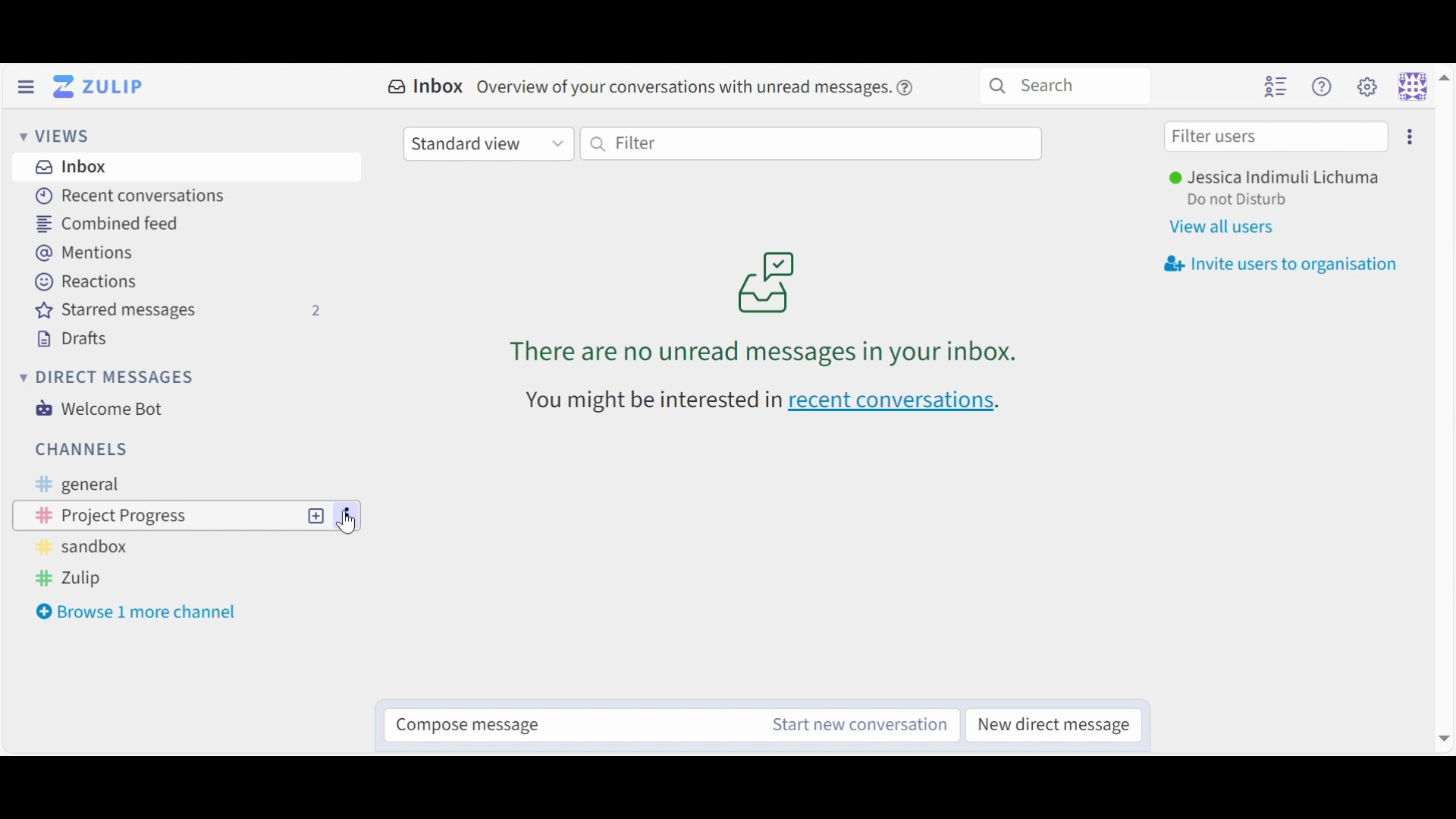 This screenshot has width=1456, height=819. I want to click on Search, so click(1075, 82).